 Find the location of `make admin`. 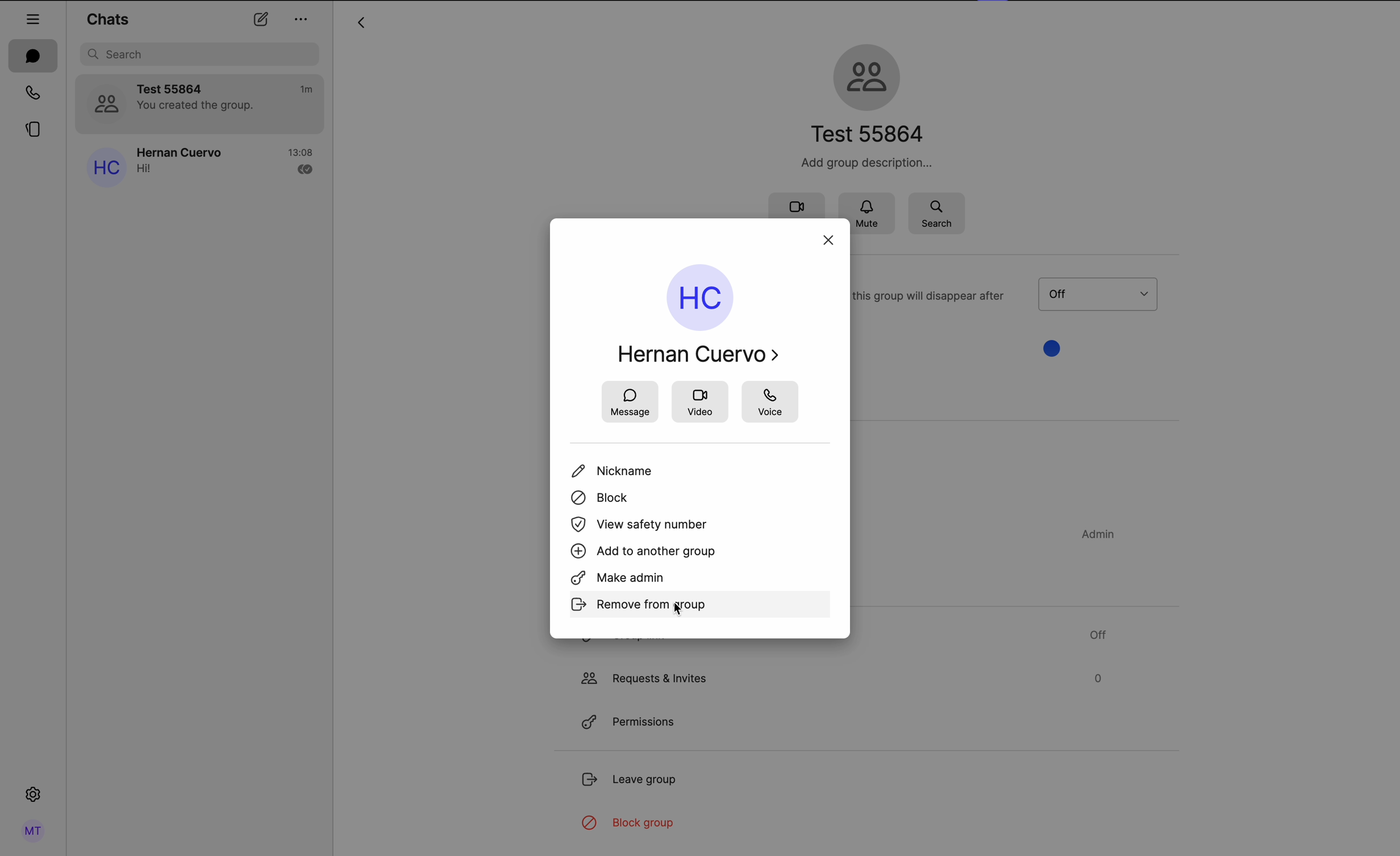

make admin is located at coordinates (623, 580).